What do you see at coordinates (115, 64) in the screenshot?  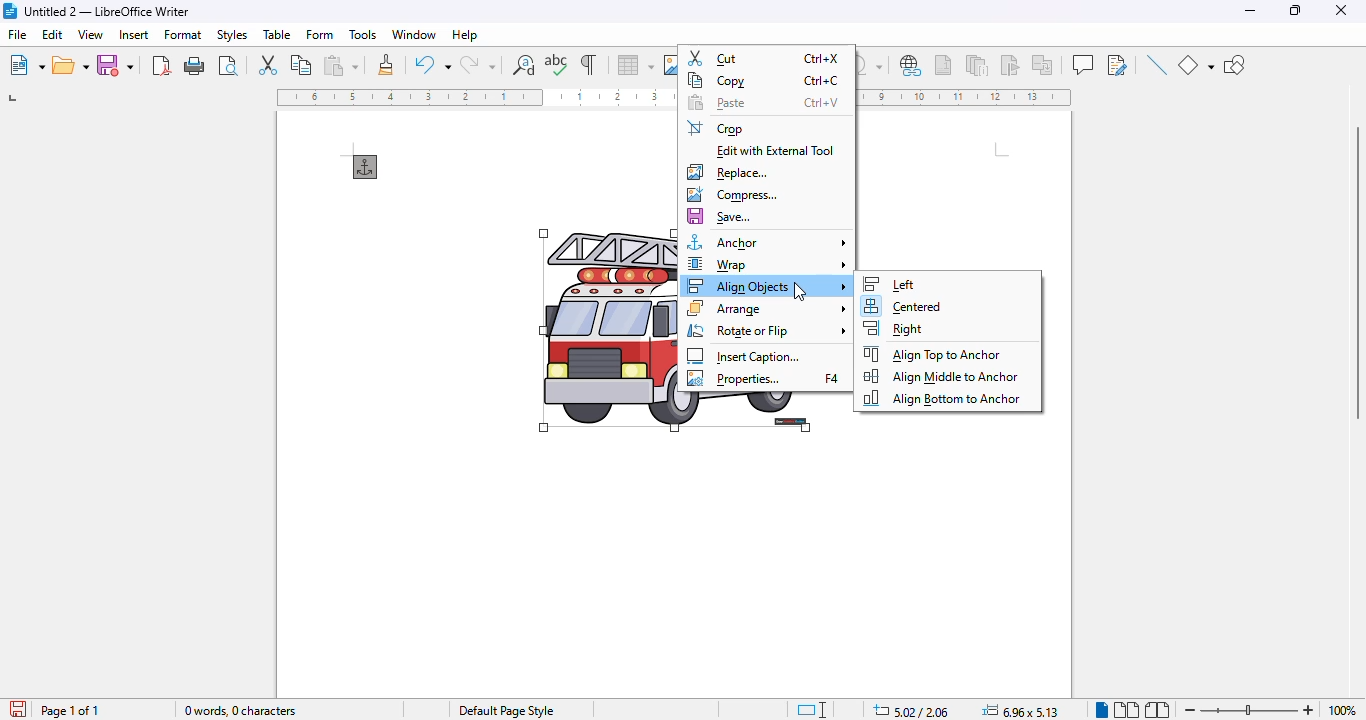 I see `save` at bounding box center [115, 64].